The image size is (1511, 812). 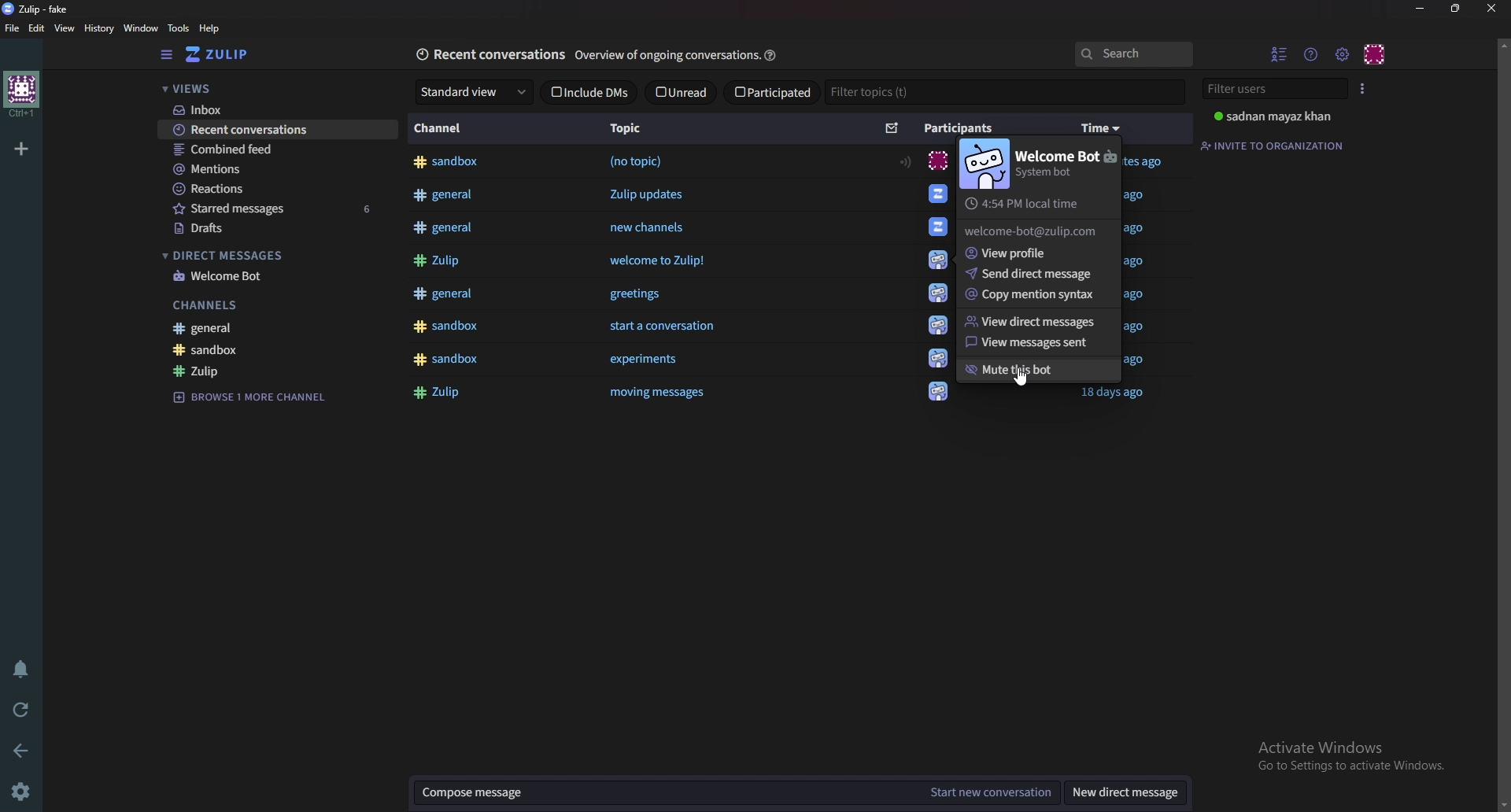 What do you see at coordinates (648, 361) in the screenshot?
I see `experiments` at bounding box center [648, 361].